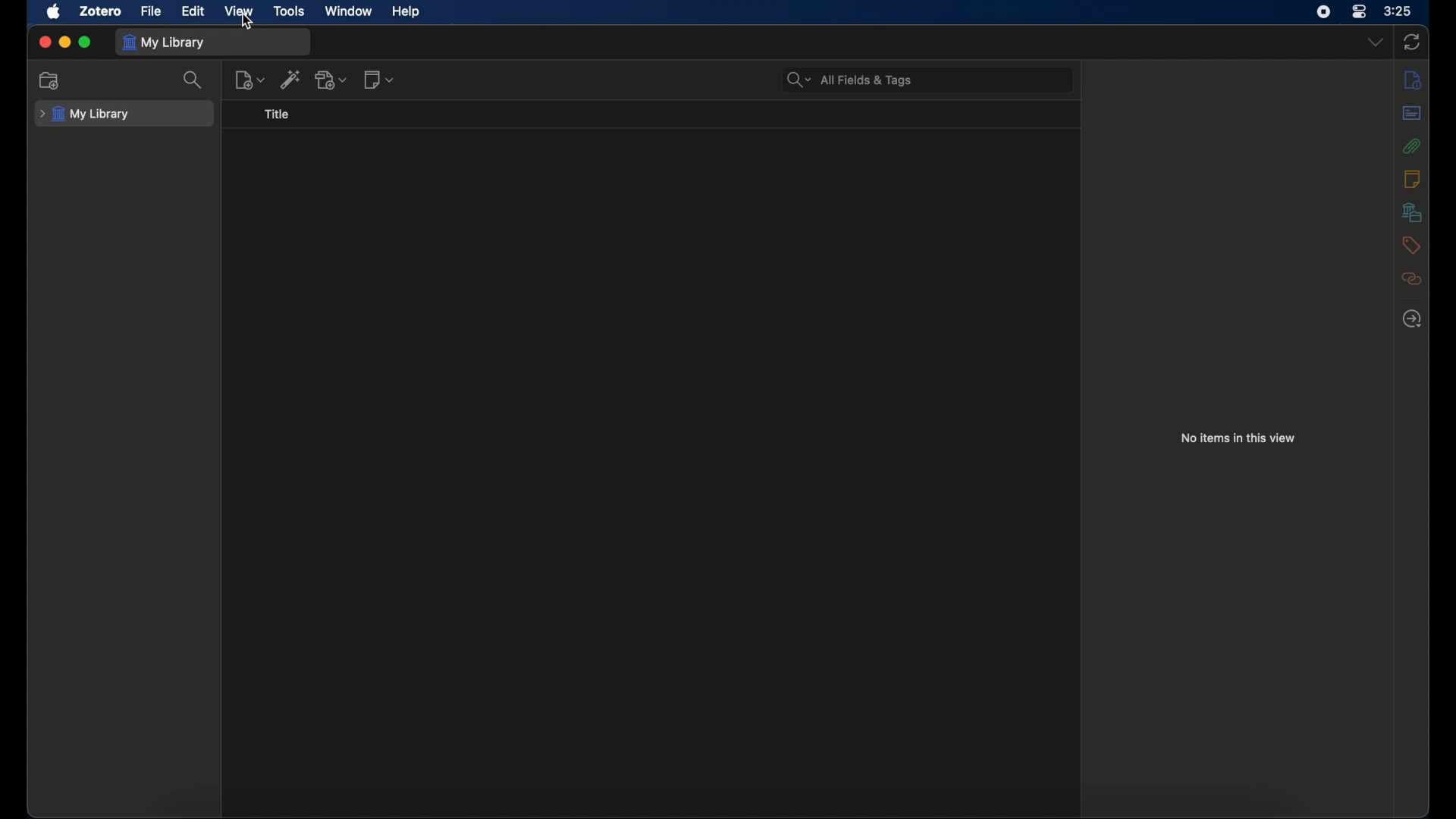  What do you see at coordinates (65, 42) in the screenshot?
I see `minimize` at bounding box center [65, 42].